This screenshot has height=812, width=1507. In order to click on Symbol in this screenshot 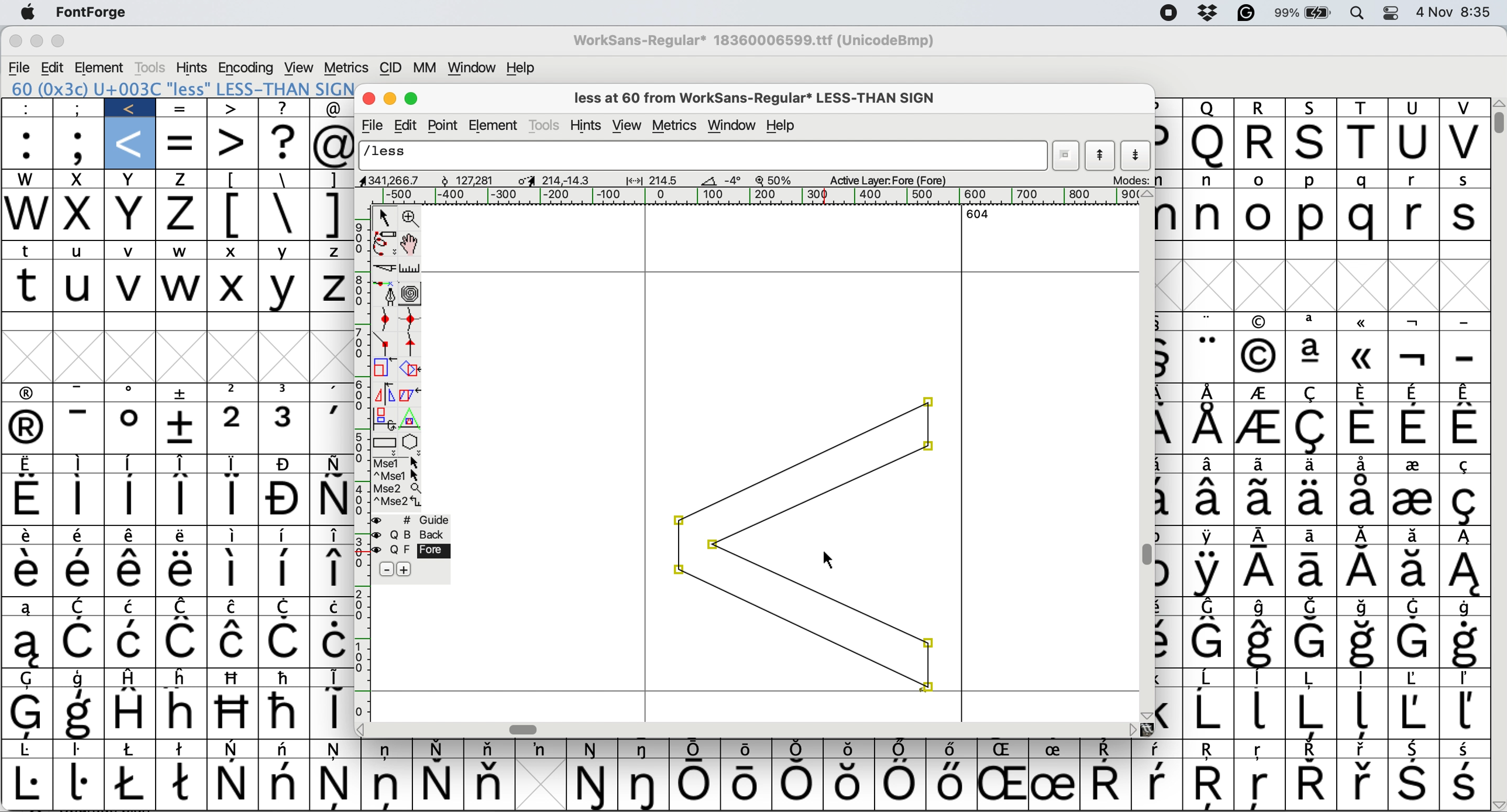, I will do `click(850, 748)`.